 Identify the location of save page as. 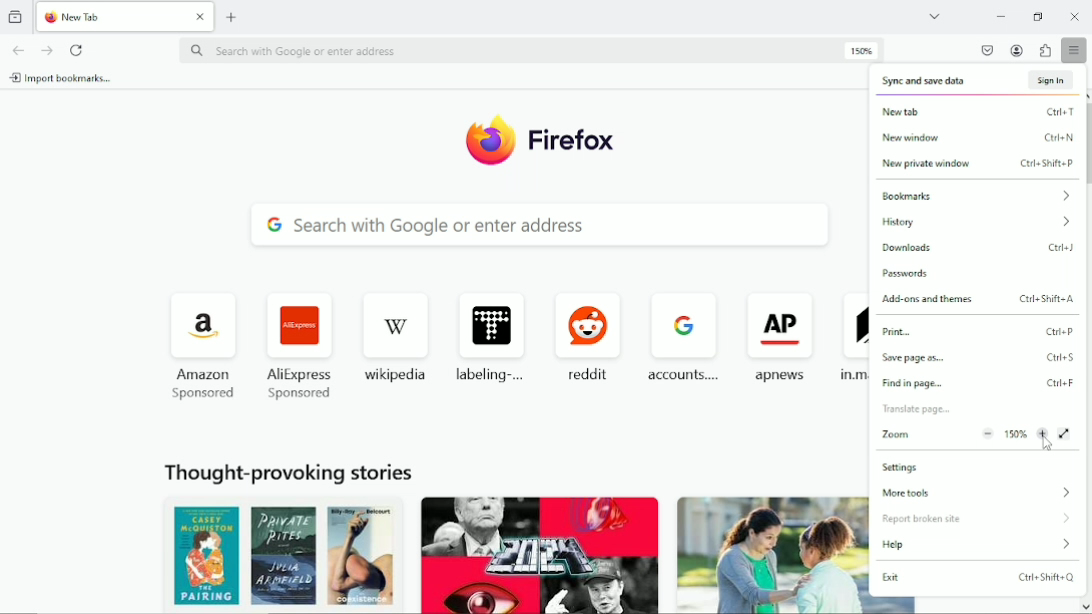
(978, 358).